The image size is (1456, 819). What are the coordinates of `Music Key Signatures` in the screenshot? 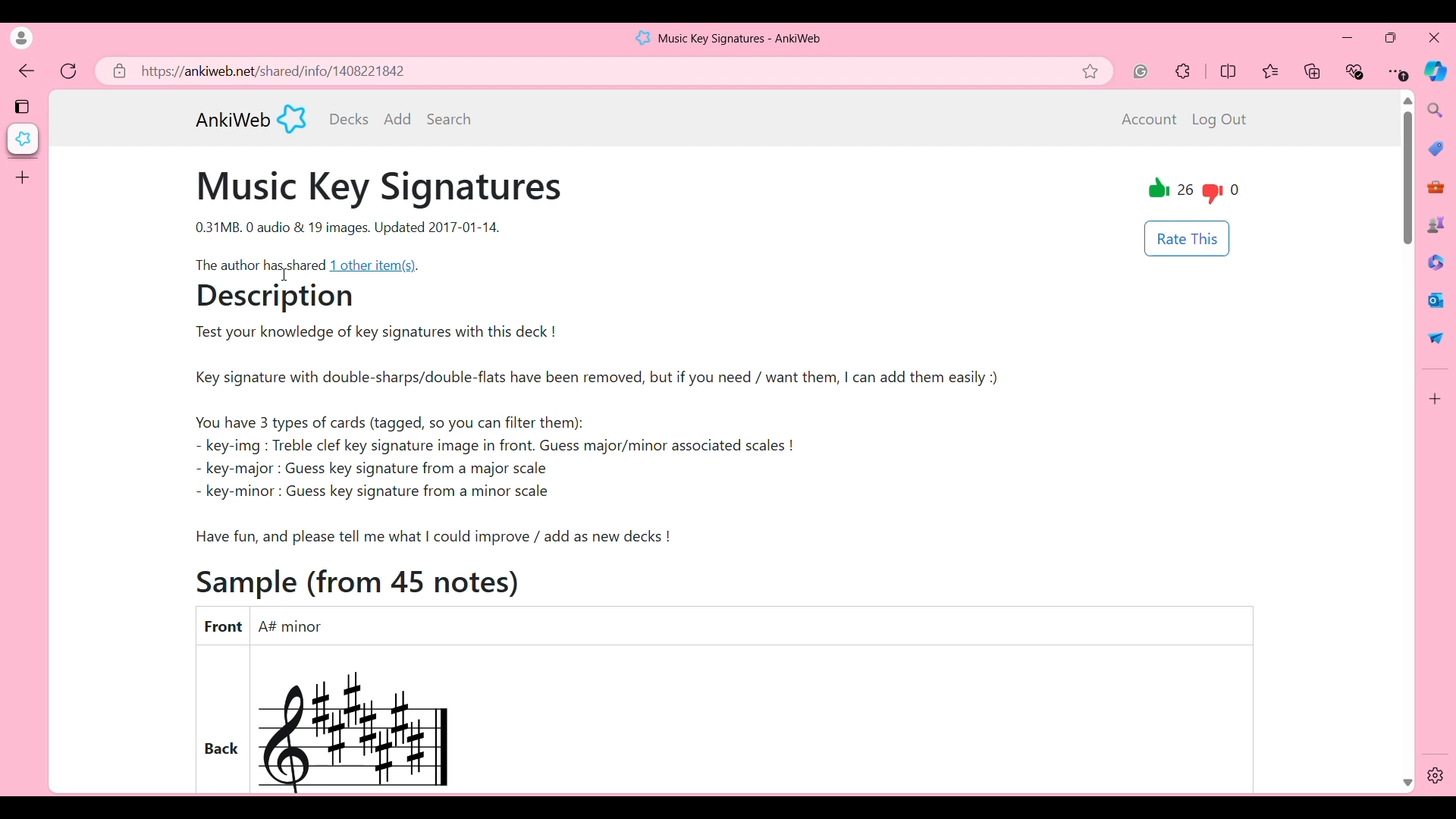 It's located at (382, 189).